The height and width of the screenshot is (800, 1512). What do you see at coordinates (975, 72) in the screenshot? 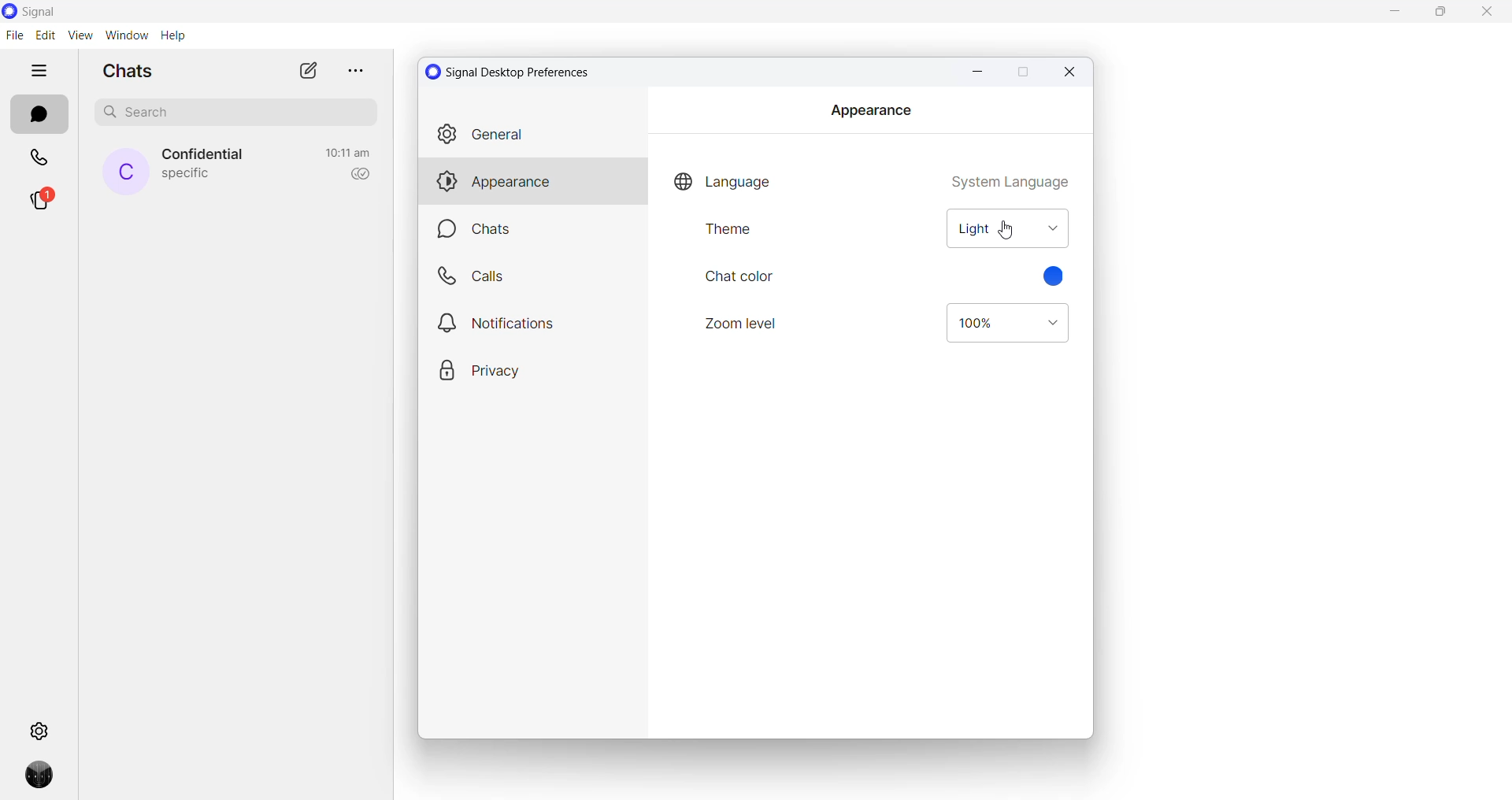
I see `minimize` at bounding box center [975, 72].